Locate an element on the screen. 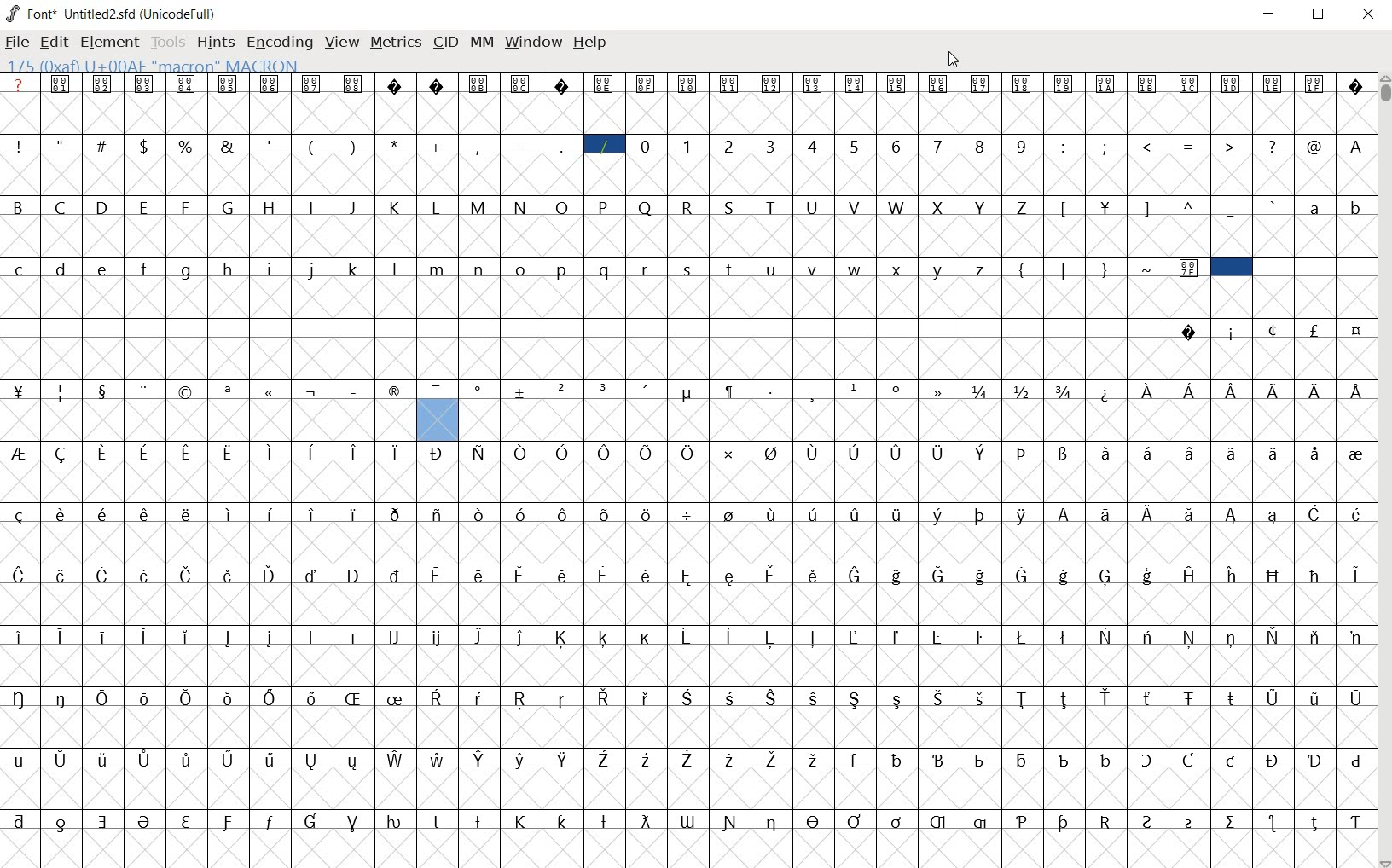  Symbol is located at coordinates (1024, 454).